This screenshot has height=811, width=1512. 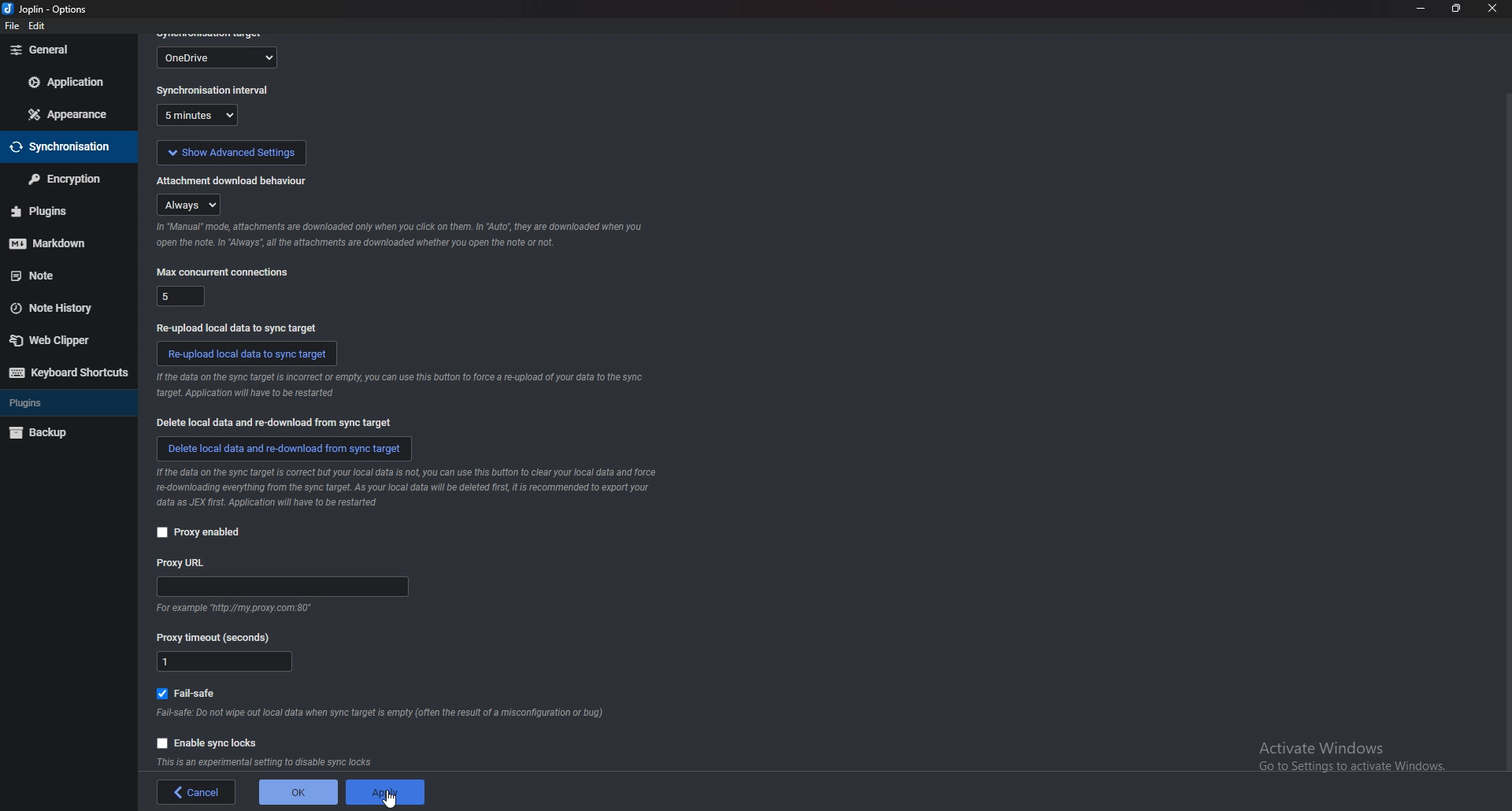 What do you see at coordinates (192, 204) in the screenshot?
I see `attachment download behaviour` at bounding box center [192, 204].